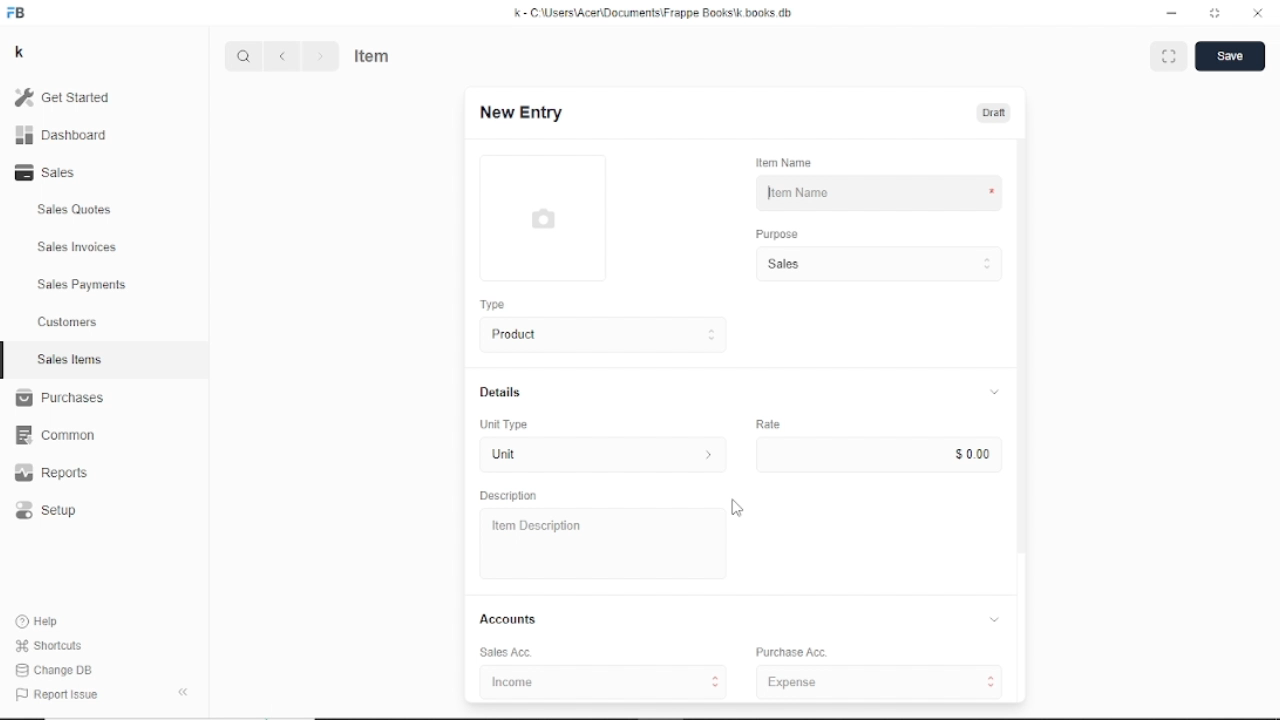 The height and width of the screenshot is (720, 1280). Describe the element at coordinates (736, 510) in the screenshot. I see `Cursor` at that location.